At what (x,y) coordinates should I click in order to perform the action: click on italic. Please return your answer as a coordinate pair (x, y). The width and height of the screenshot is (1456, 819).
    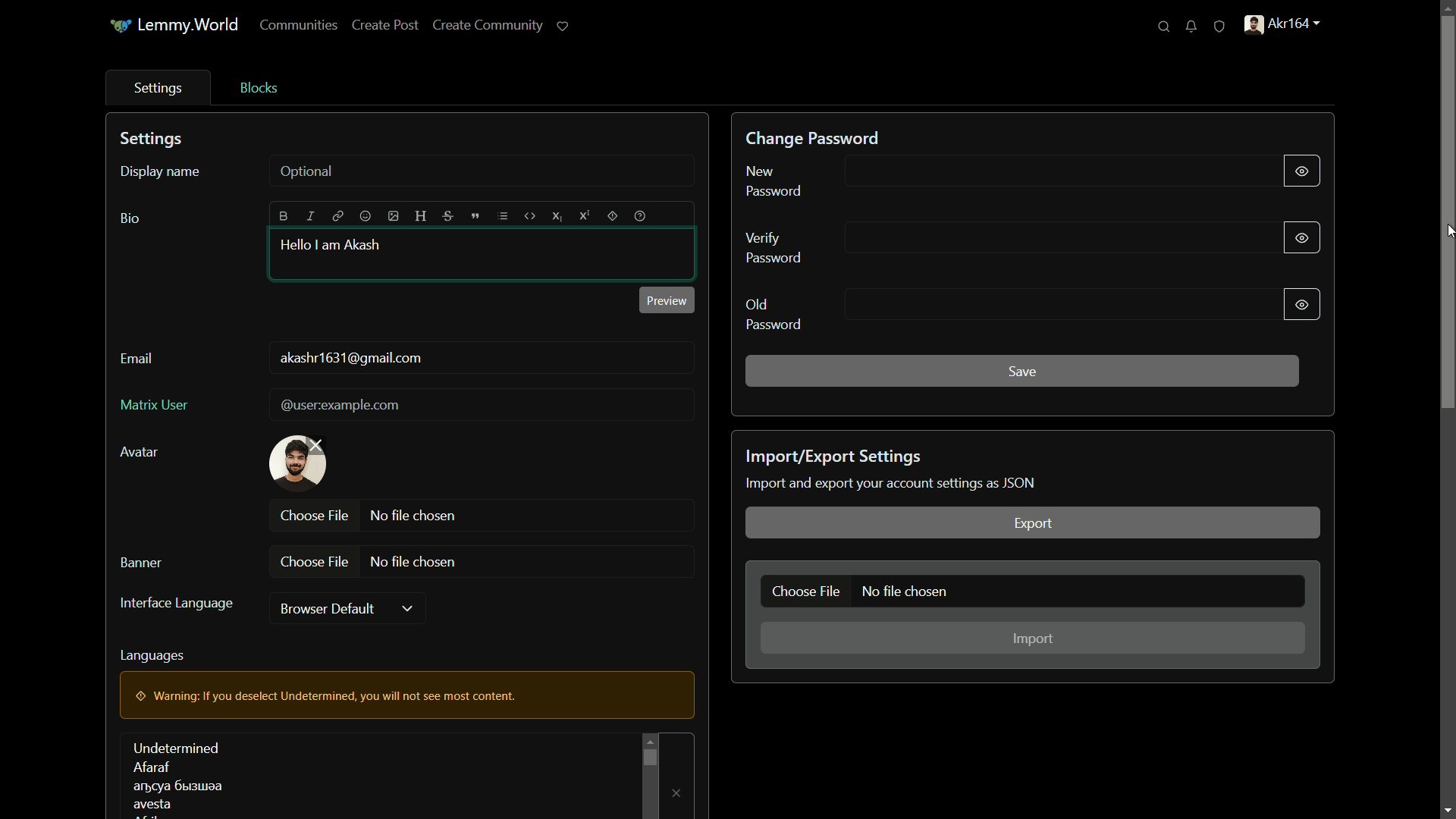
    Looking at the image, I should click on (310, 216).